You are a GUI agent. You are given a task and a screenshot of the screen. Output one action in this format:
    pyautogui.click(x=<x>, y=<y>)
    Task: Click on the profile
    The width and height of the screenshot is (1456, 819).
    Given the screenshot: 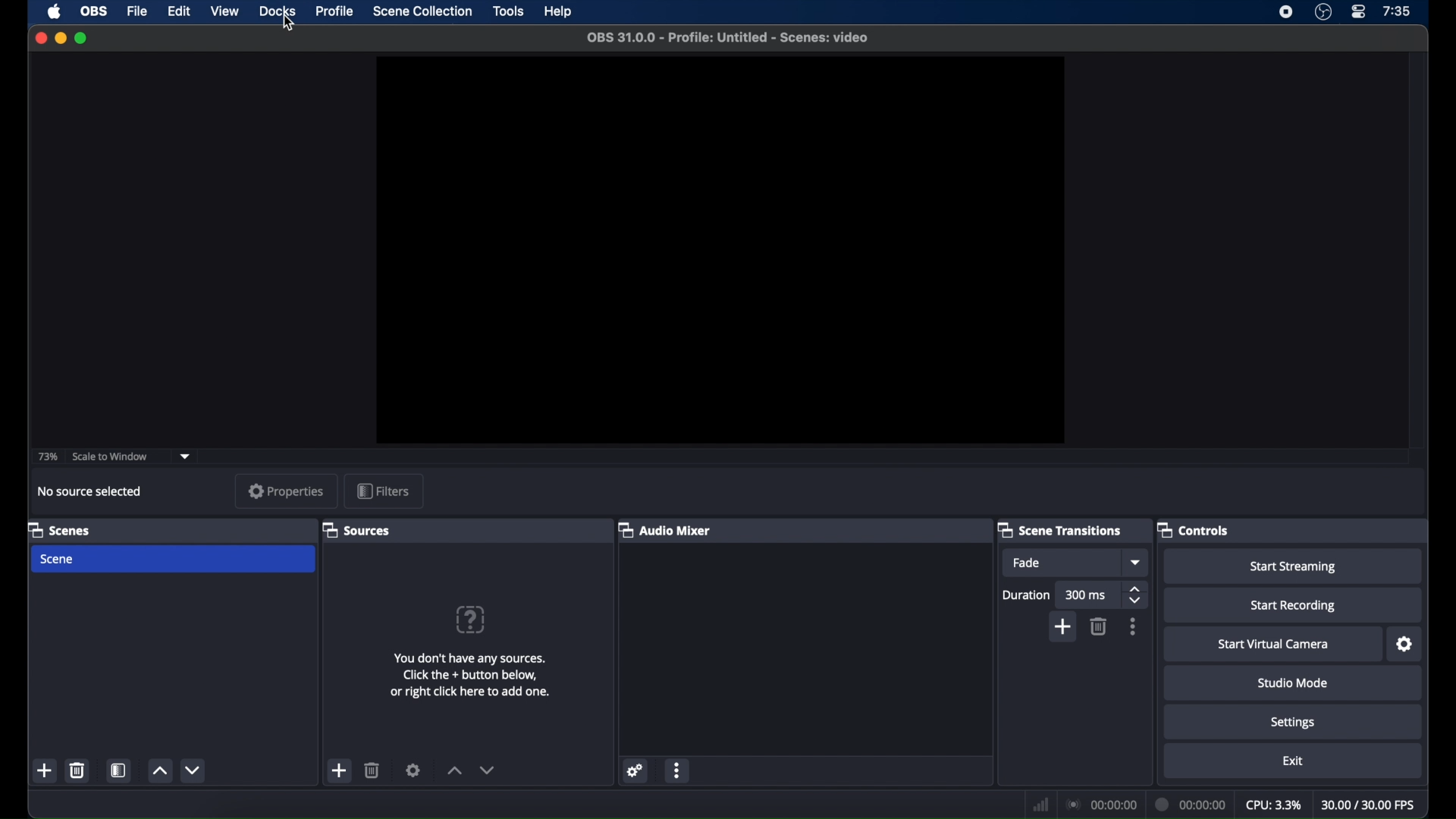 What is the action you would take?
    pyautogui.click(x=333, y=10)
    